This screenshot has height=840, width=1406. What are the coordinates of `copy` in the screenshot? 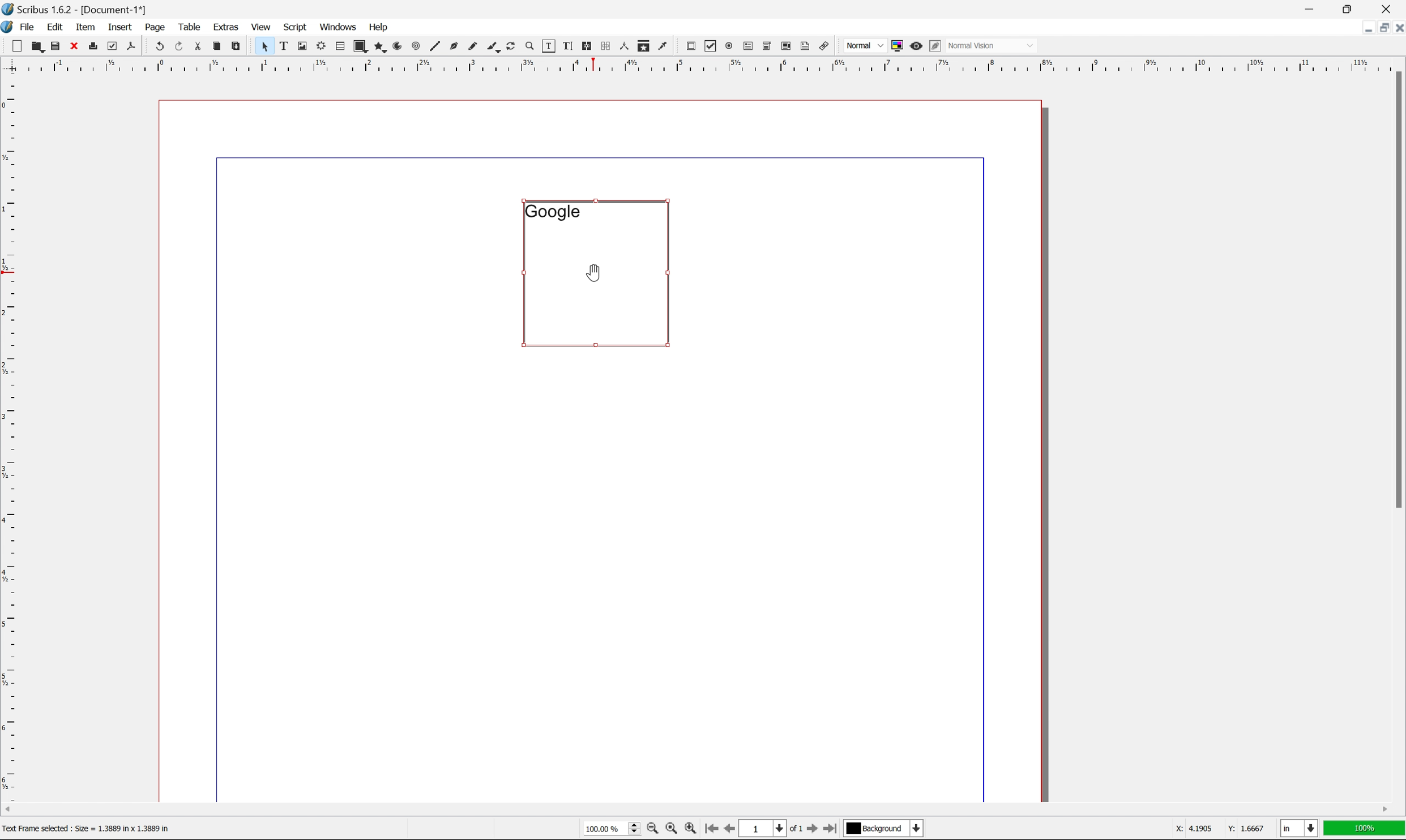 It's located at (219, 47).